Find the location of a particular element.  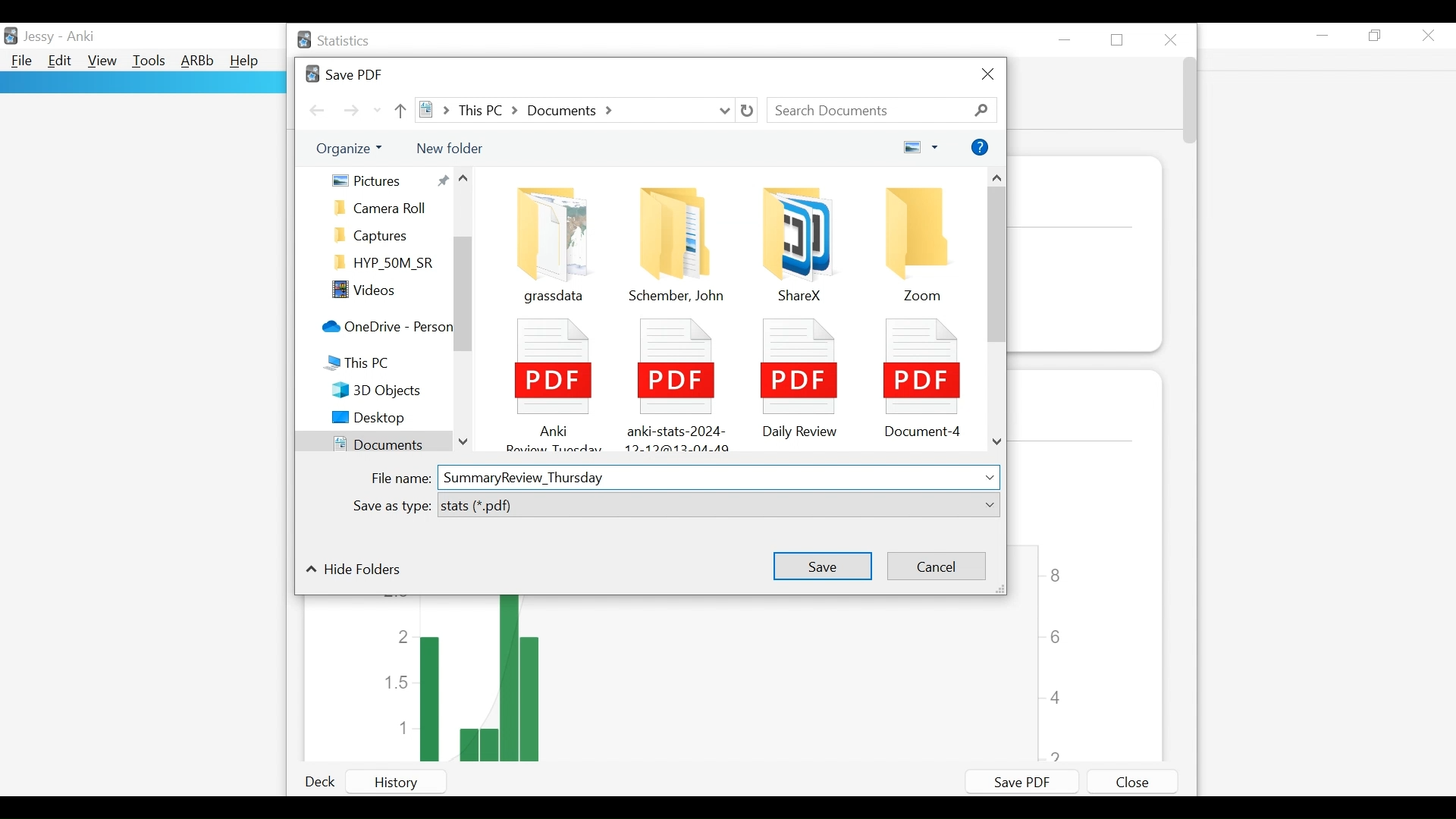

scroll up is located at coordinates (467, 180).